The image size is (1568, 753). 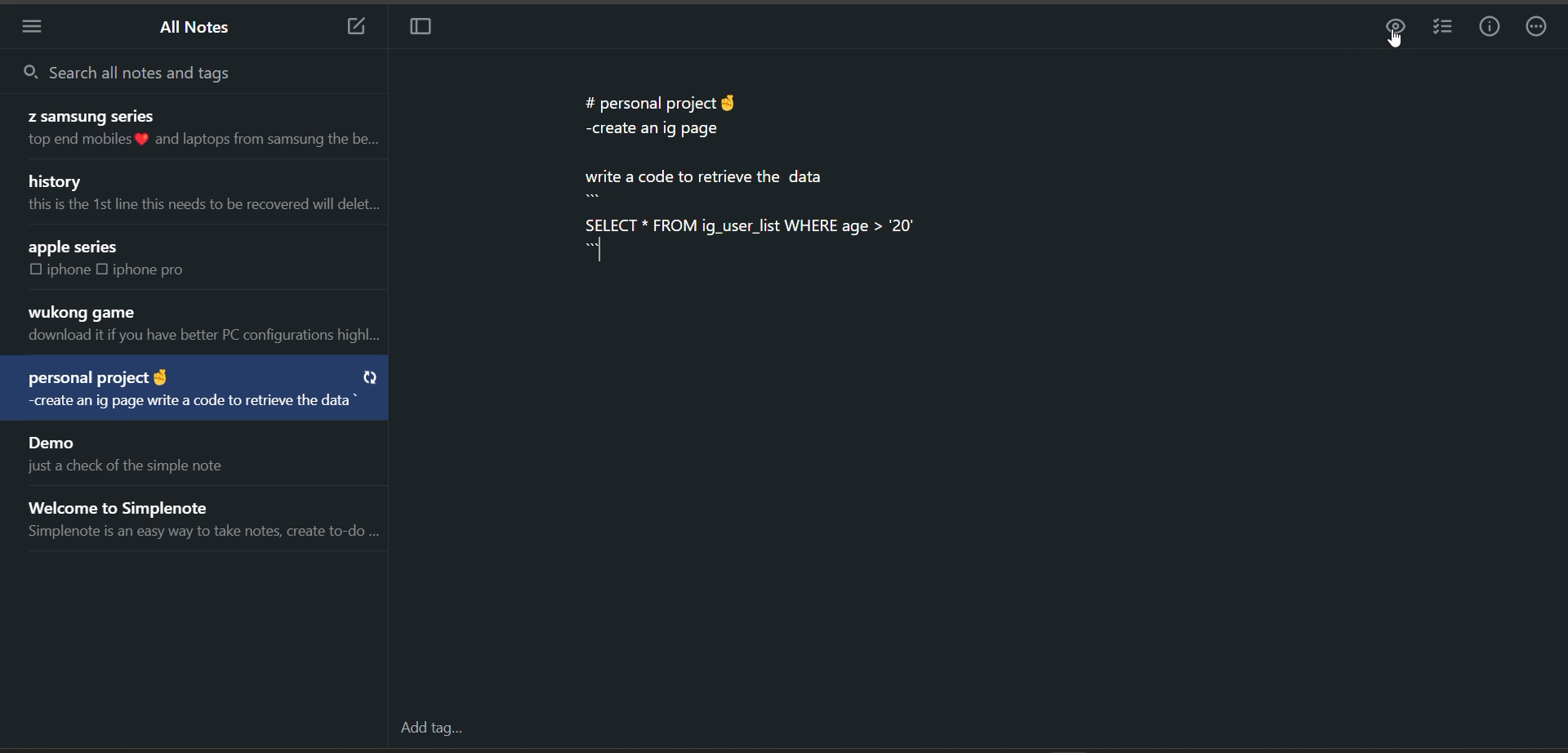 What do you see at coordinates (166, 72) in the screenshot?
I see `search all notes and tags` at bounding box center [166, 72].